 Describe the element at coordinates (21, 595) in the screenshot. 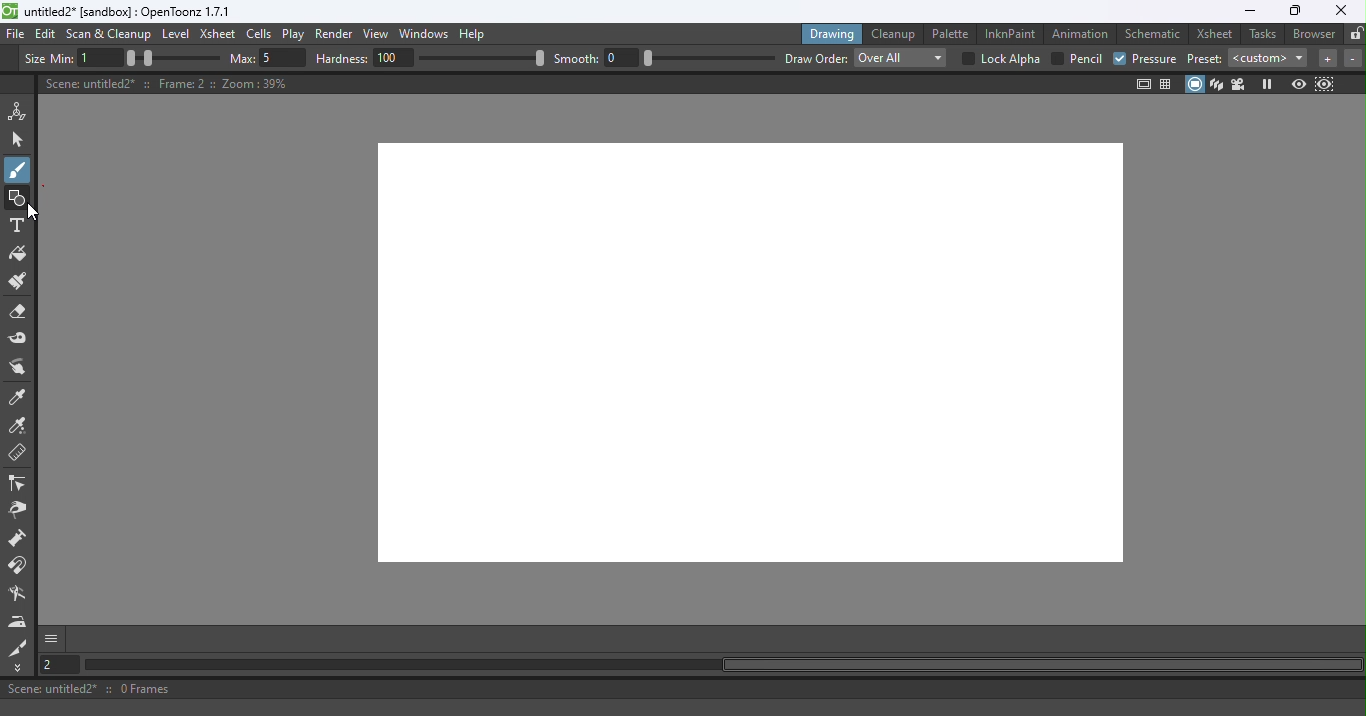

I see `Blender tool` at that location.